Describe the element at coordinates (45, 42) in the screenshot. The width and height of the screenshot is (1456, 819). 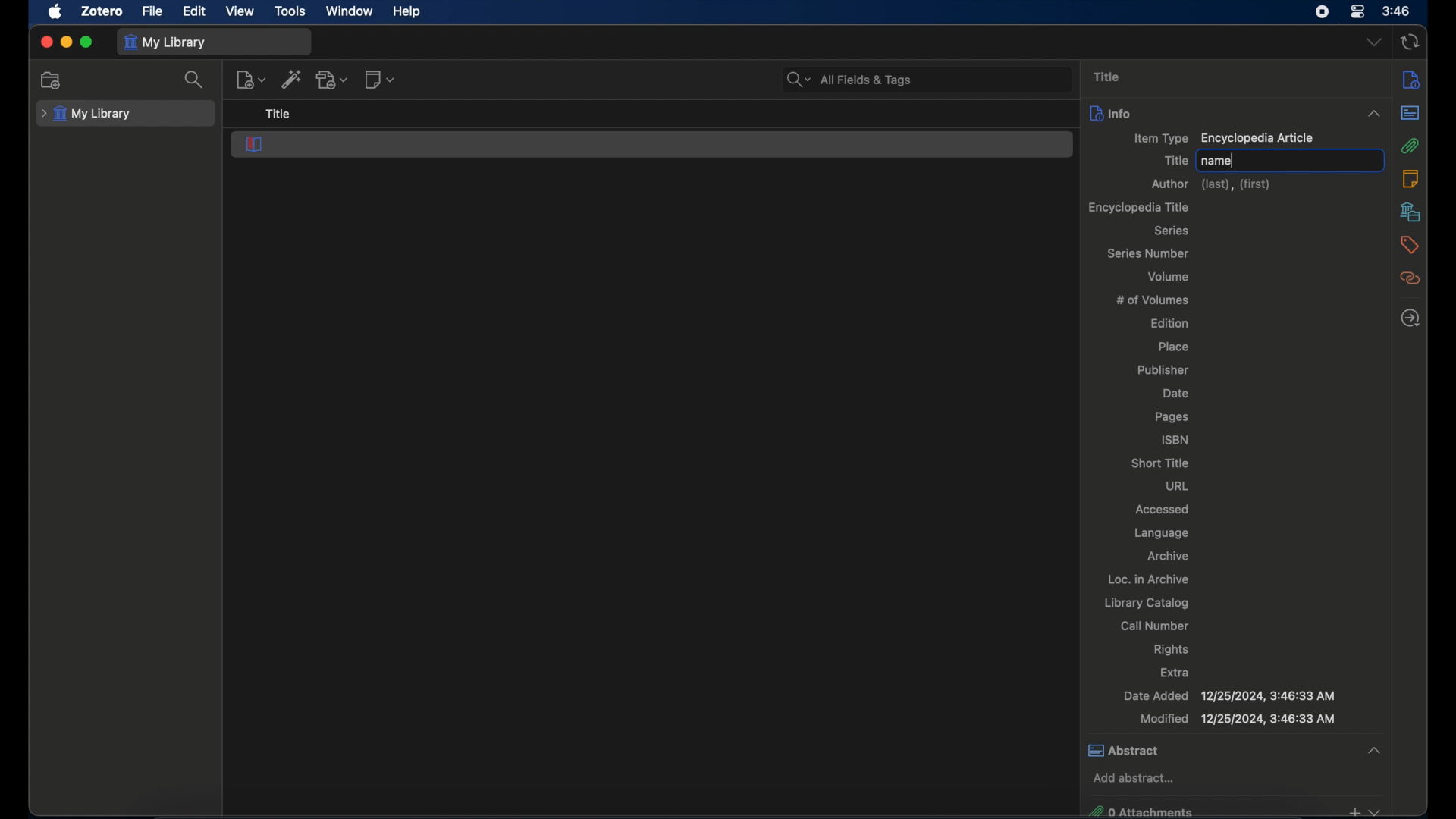
I see `close` at that location.